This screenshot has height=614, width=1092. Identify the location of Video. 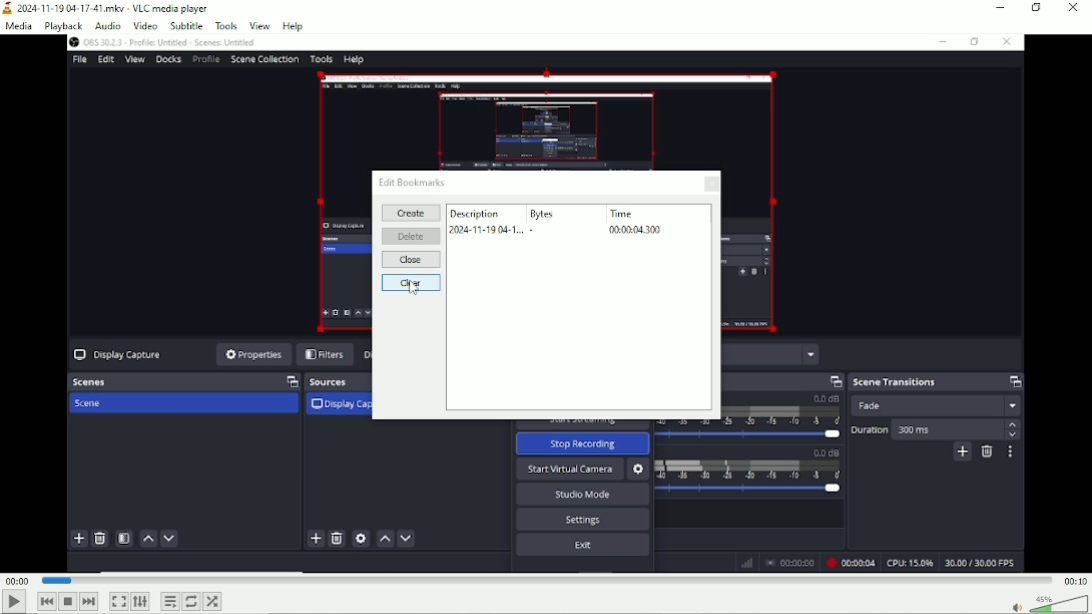
(546, 498).